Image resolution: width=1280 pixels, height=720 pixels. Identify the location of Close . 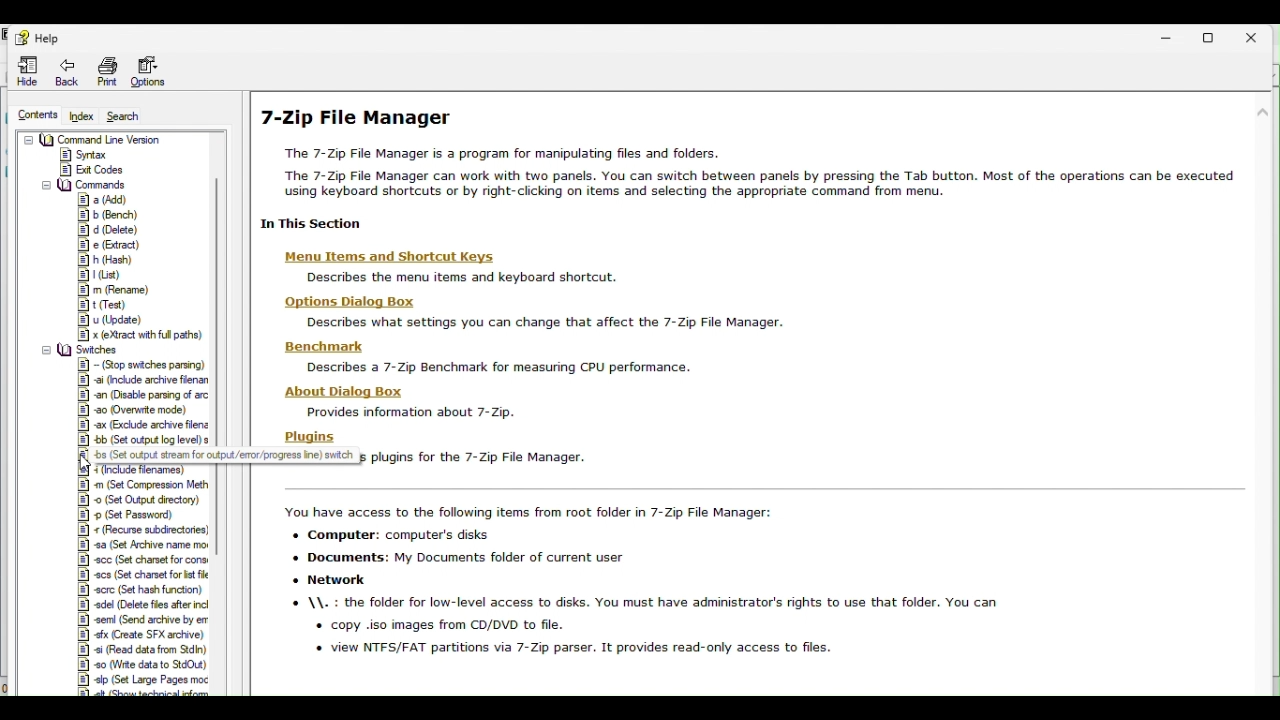
(1262, 34).